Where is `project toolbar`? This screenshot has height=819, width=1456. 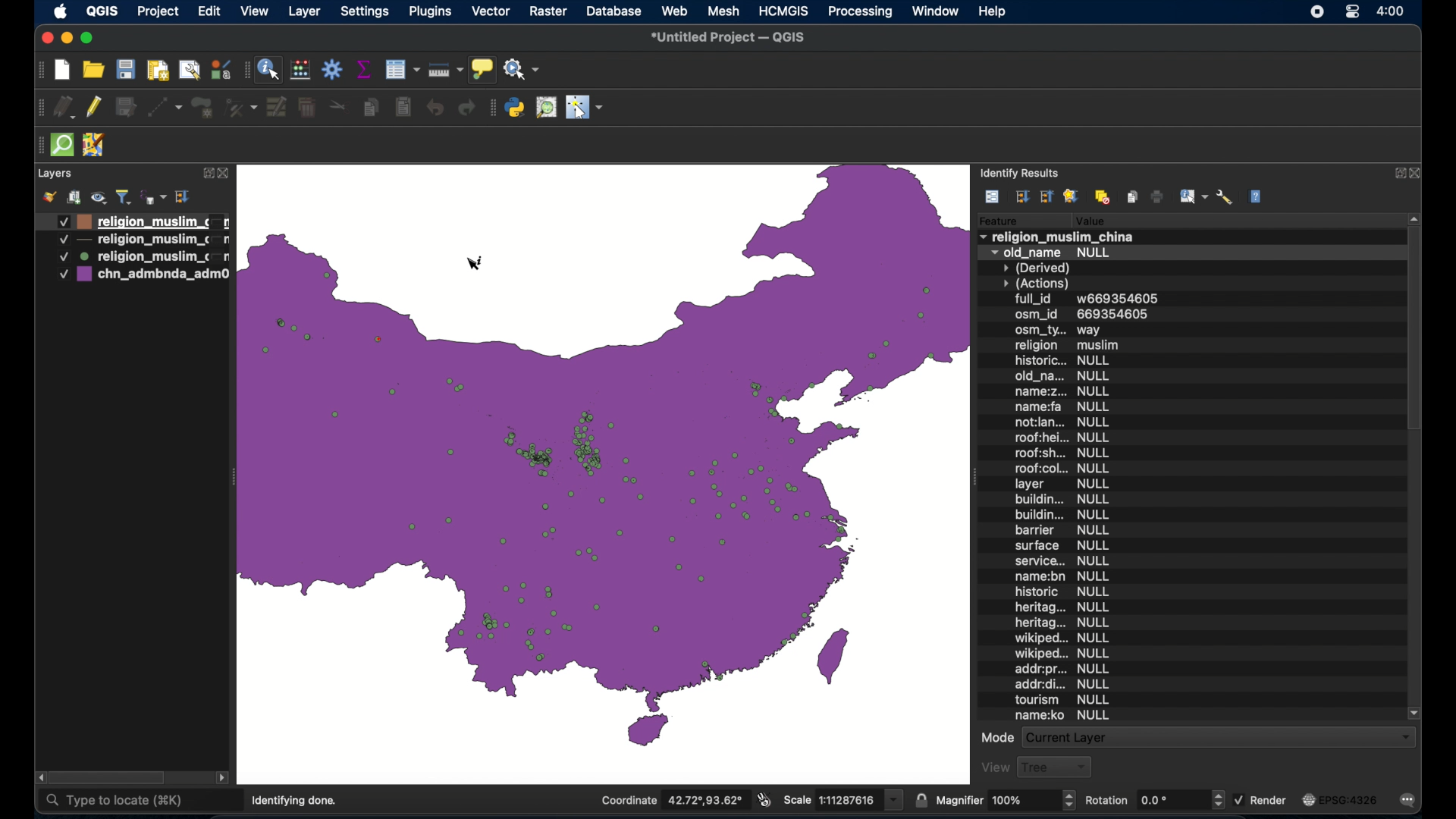 project toolbar is located at coordinates (38, 71).